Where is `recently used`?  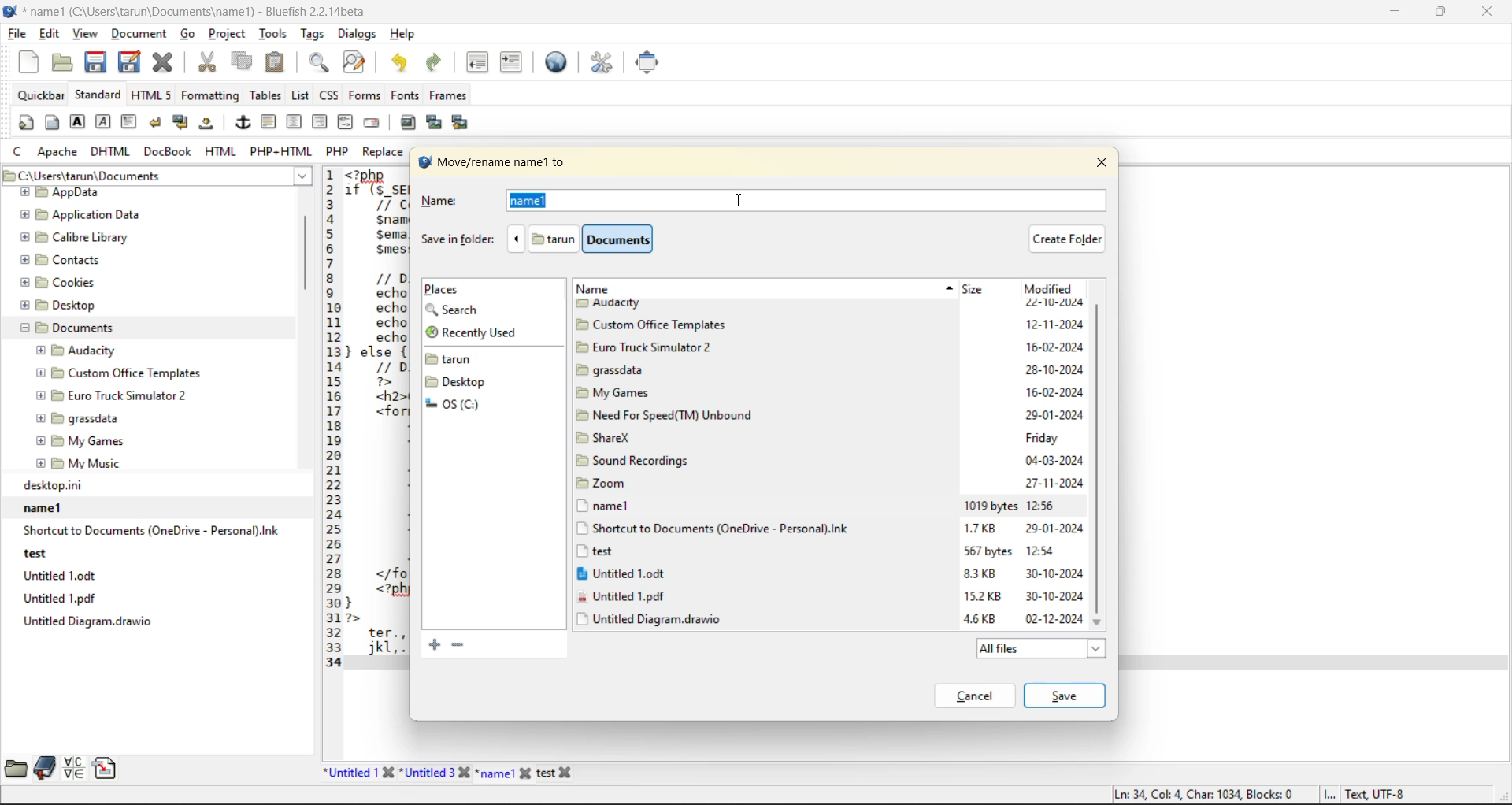 recently used is located at coordinates (472, 331).